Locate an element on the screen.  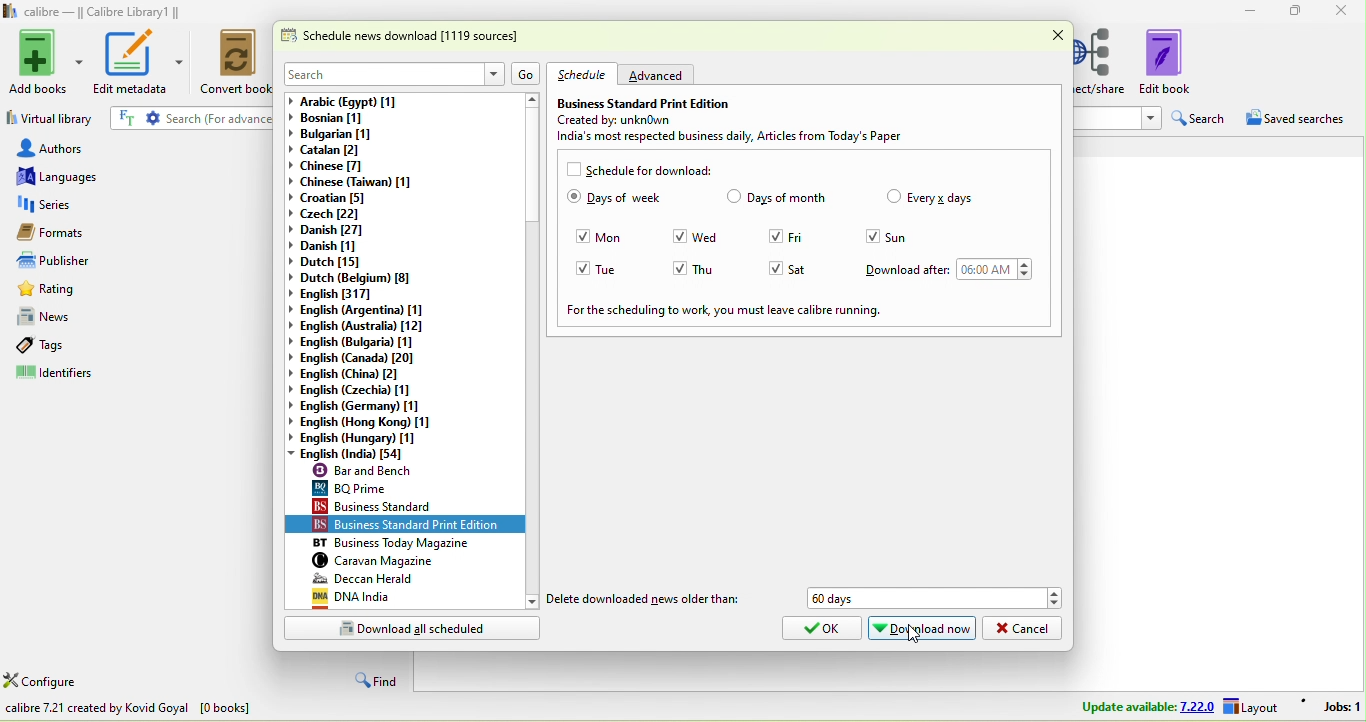
english (china)[2] is located at coordinates (363, 375).